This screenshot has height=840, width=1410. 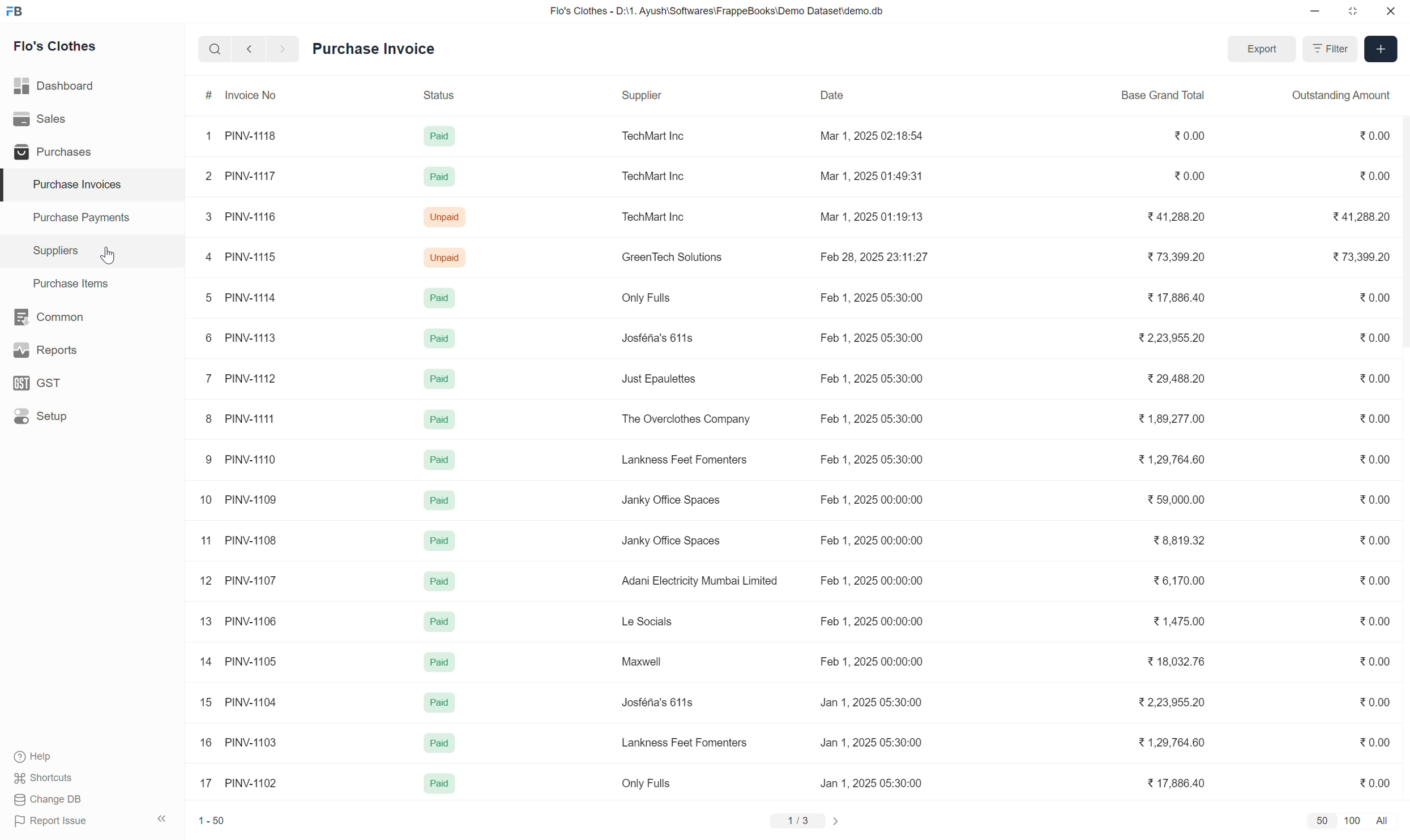 I want to click on Shortcuts, so click(x=42, y=779).